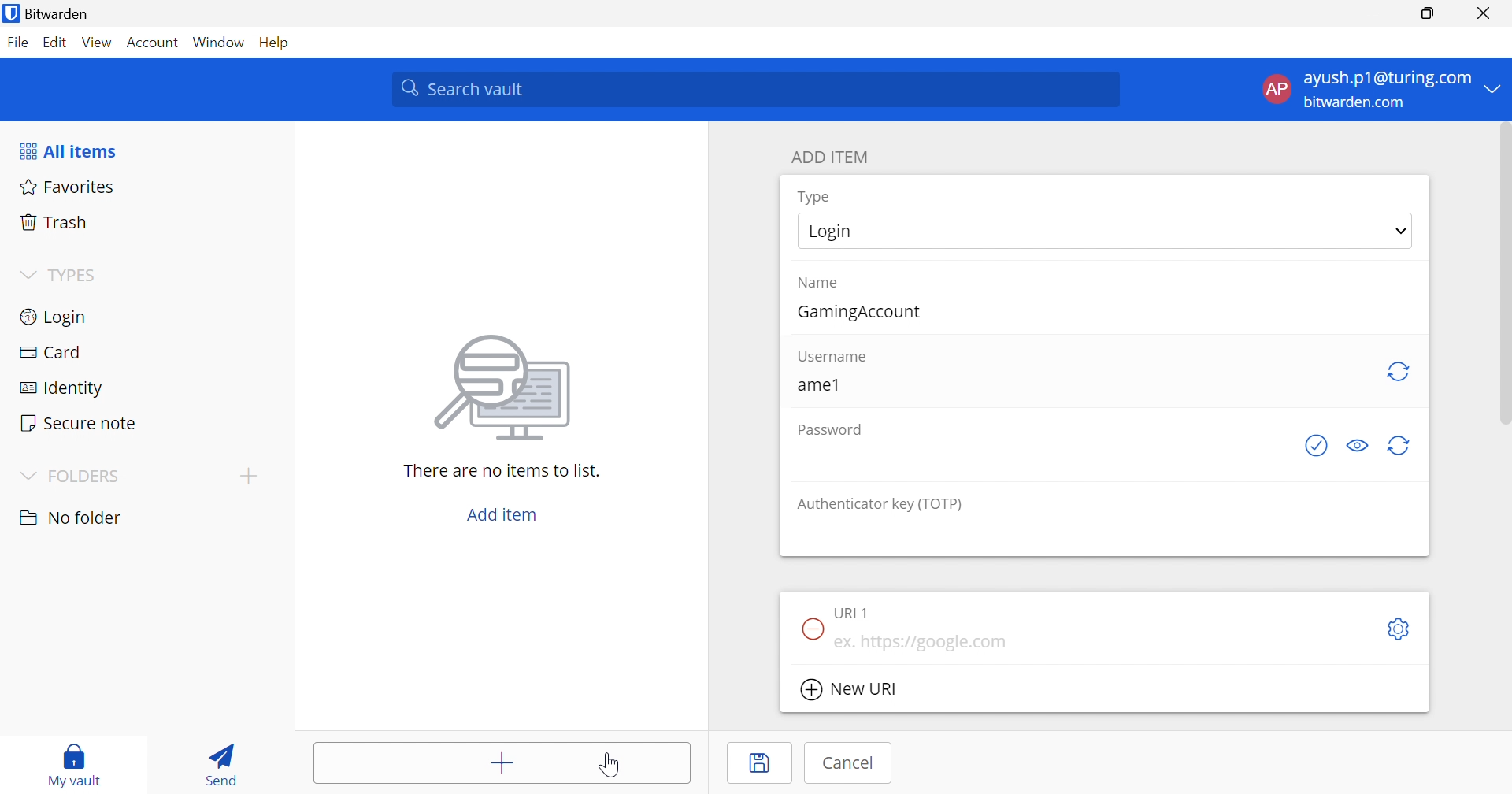 The width and height of the screenshot is (1512, 794). I want to click on Login, so click(55, 317).